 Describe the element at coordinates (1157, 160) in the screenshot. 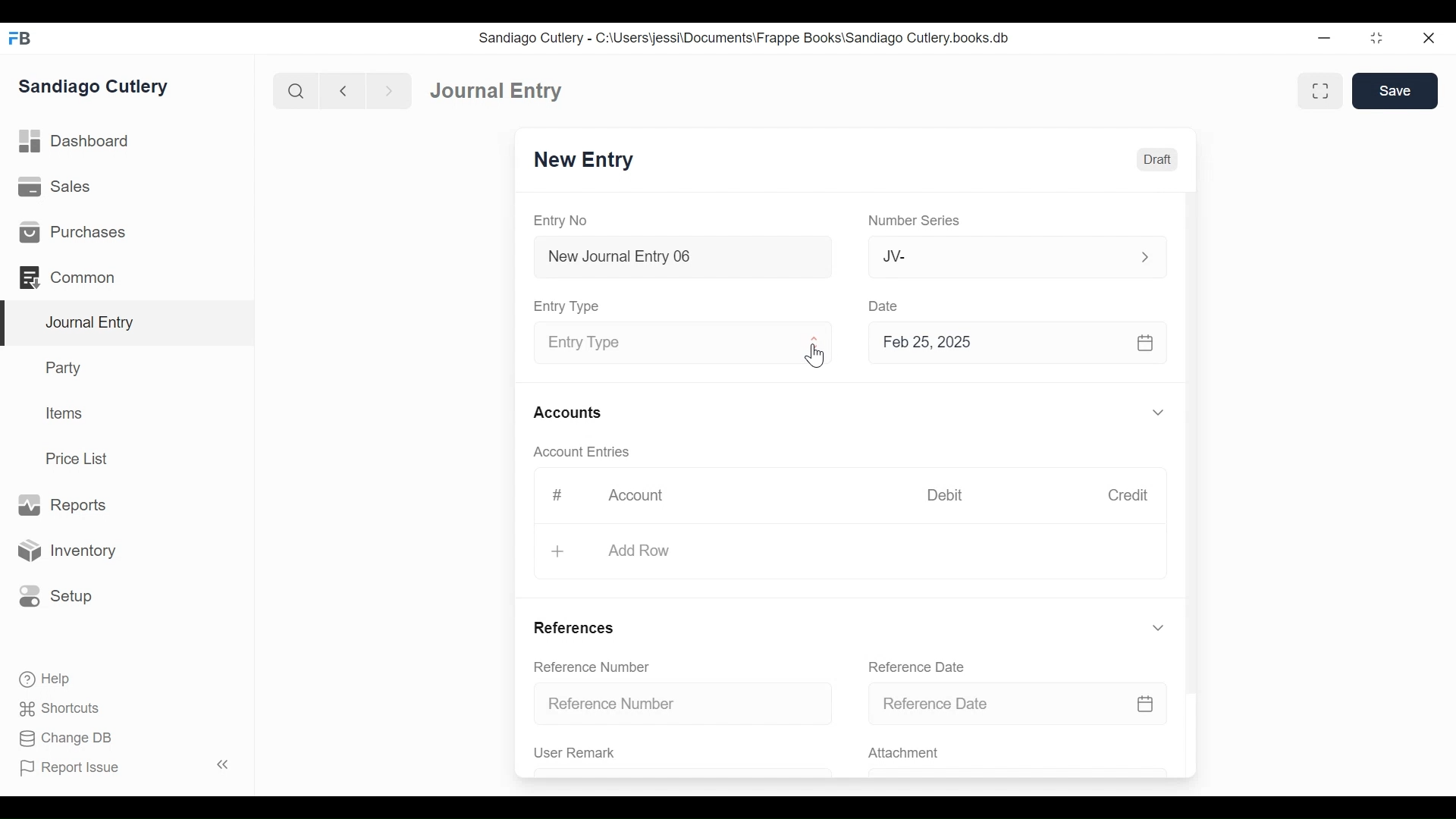

I see `Draft` at that location.